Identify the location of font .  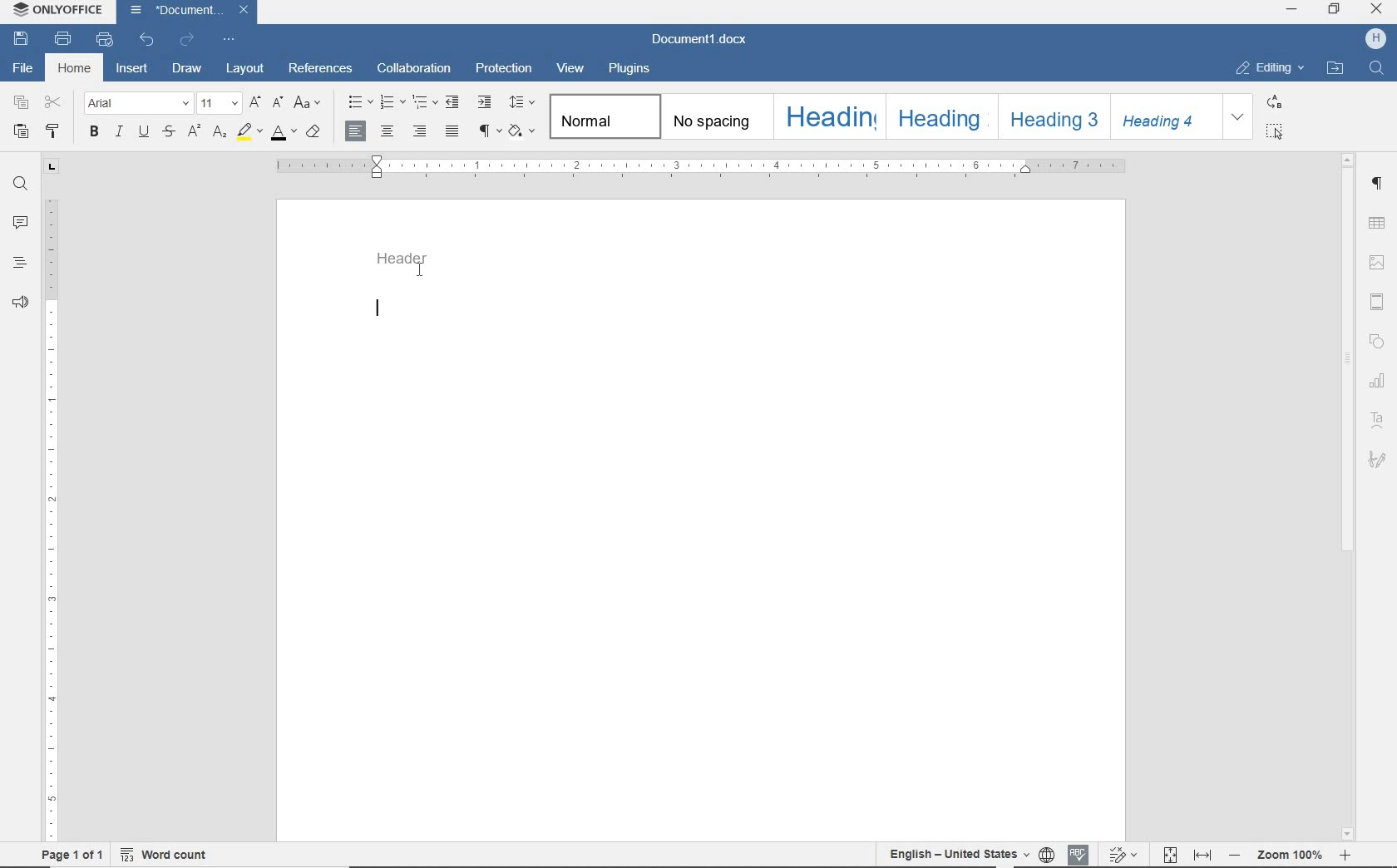
(138, 104).